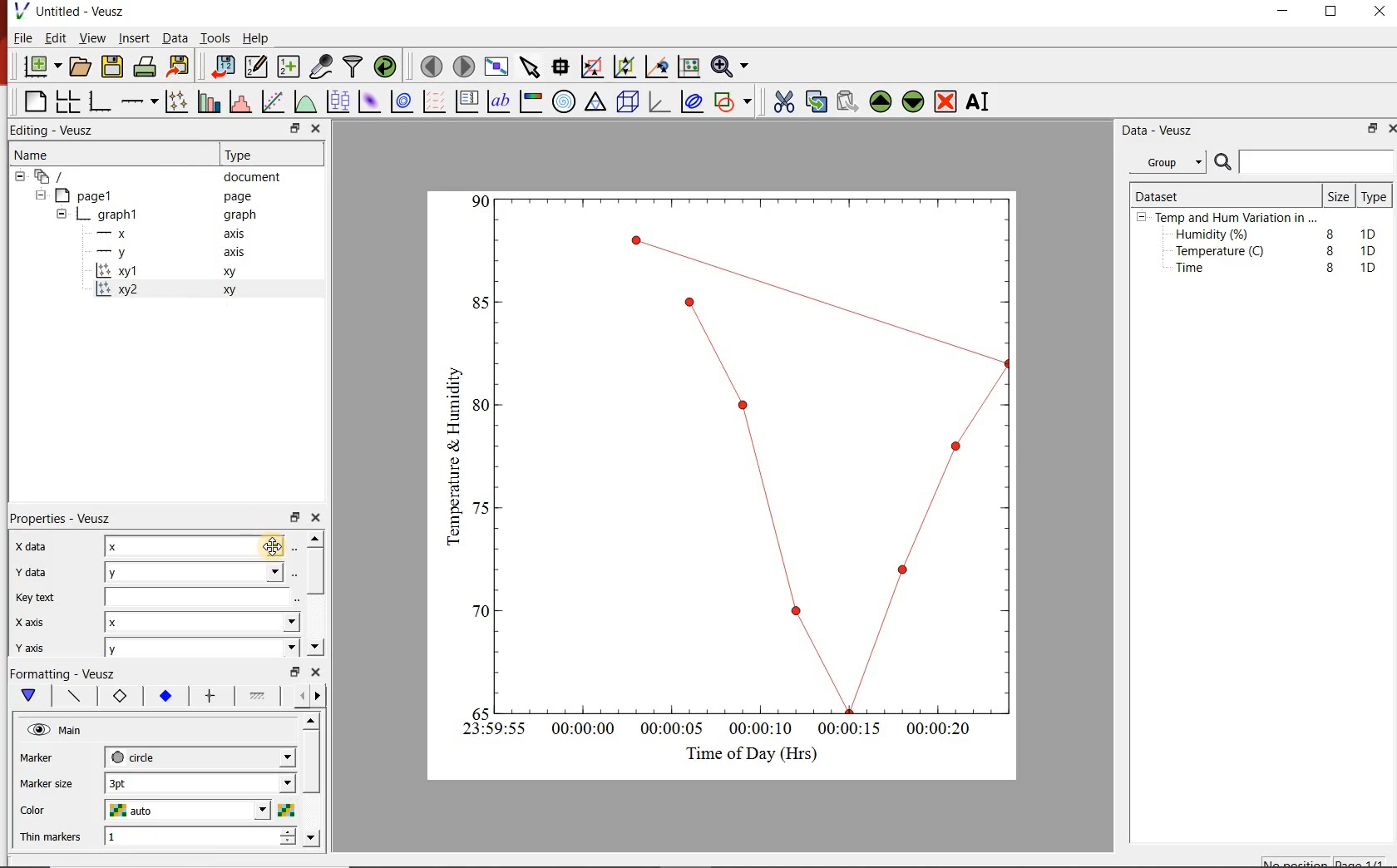 Image resolution: width=1397 pixels, height=868 pixels. What do you see at coordinates (1236, 218) in the screenshot?
I see `Temp and Hum Variation in ...` at bounding box center [1236, 218].